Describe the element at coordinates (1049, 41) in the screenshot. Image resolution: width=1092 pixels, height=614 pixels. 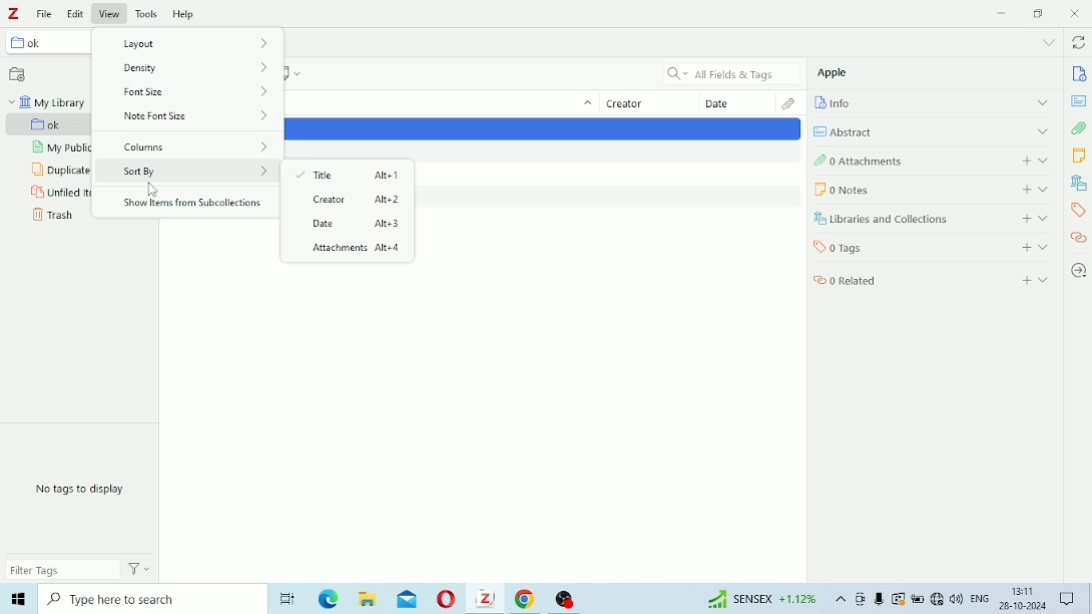
I see `more` at that location.